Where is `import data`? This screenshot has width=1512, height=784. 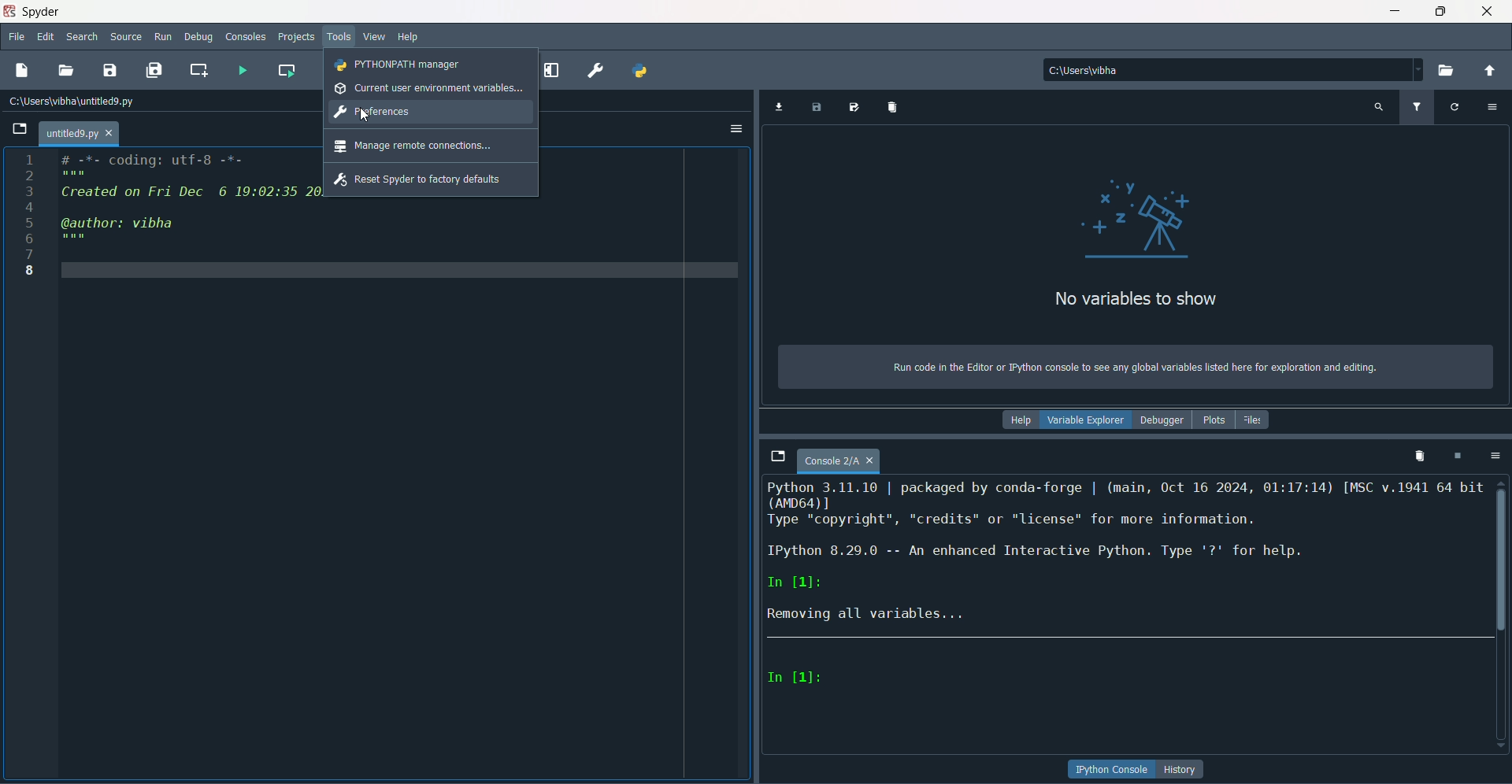
import data is located at coordinates (777, 108).